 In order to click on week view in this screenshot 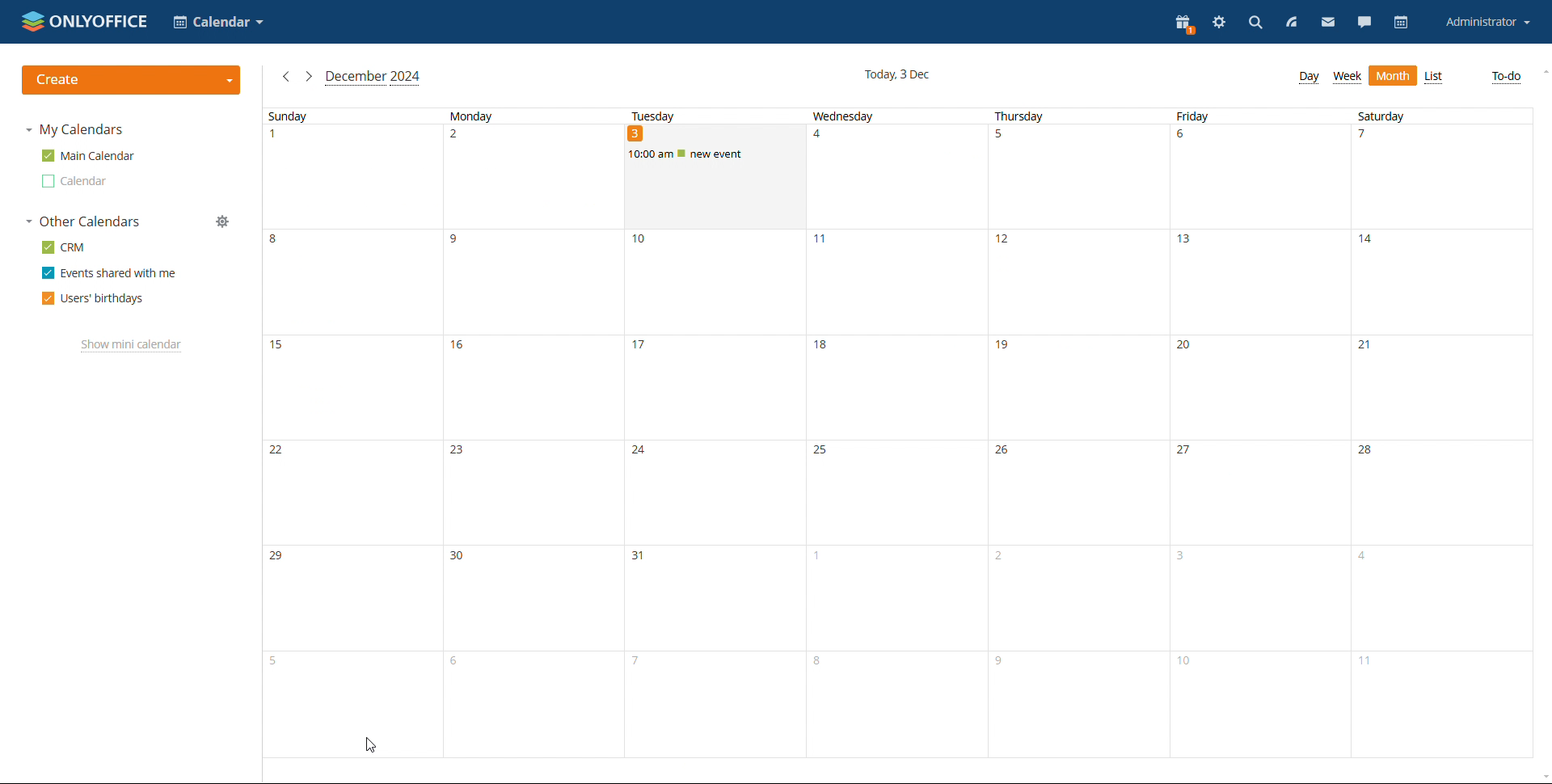, I will do `click(1347, 78)`.